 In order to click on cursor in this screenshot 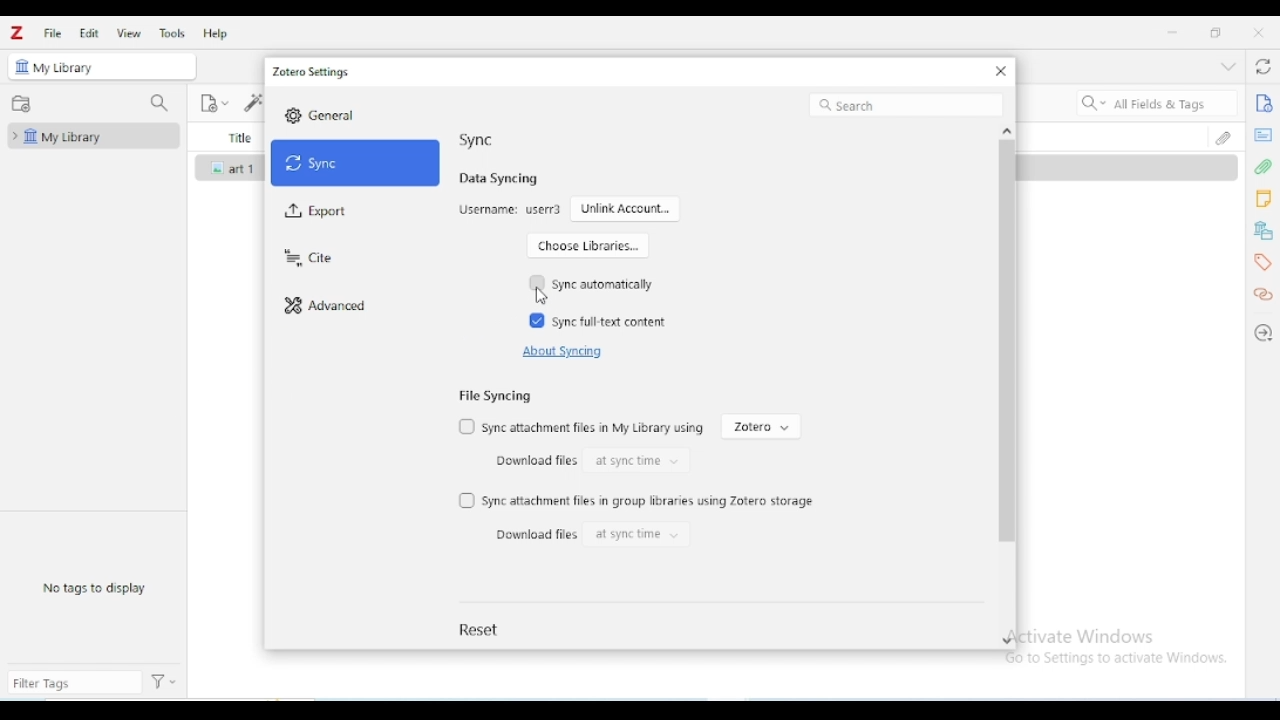, I will do `click(540, 297)`.